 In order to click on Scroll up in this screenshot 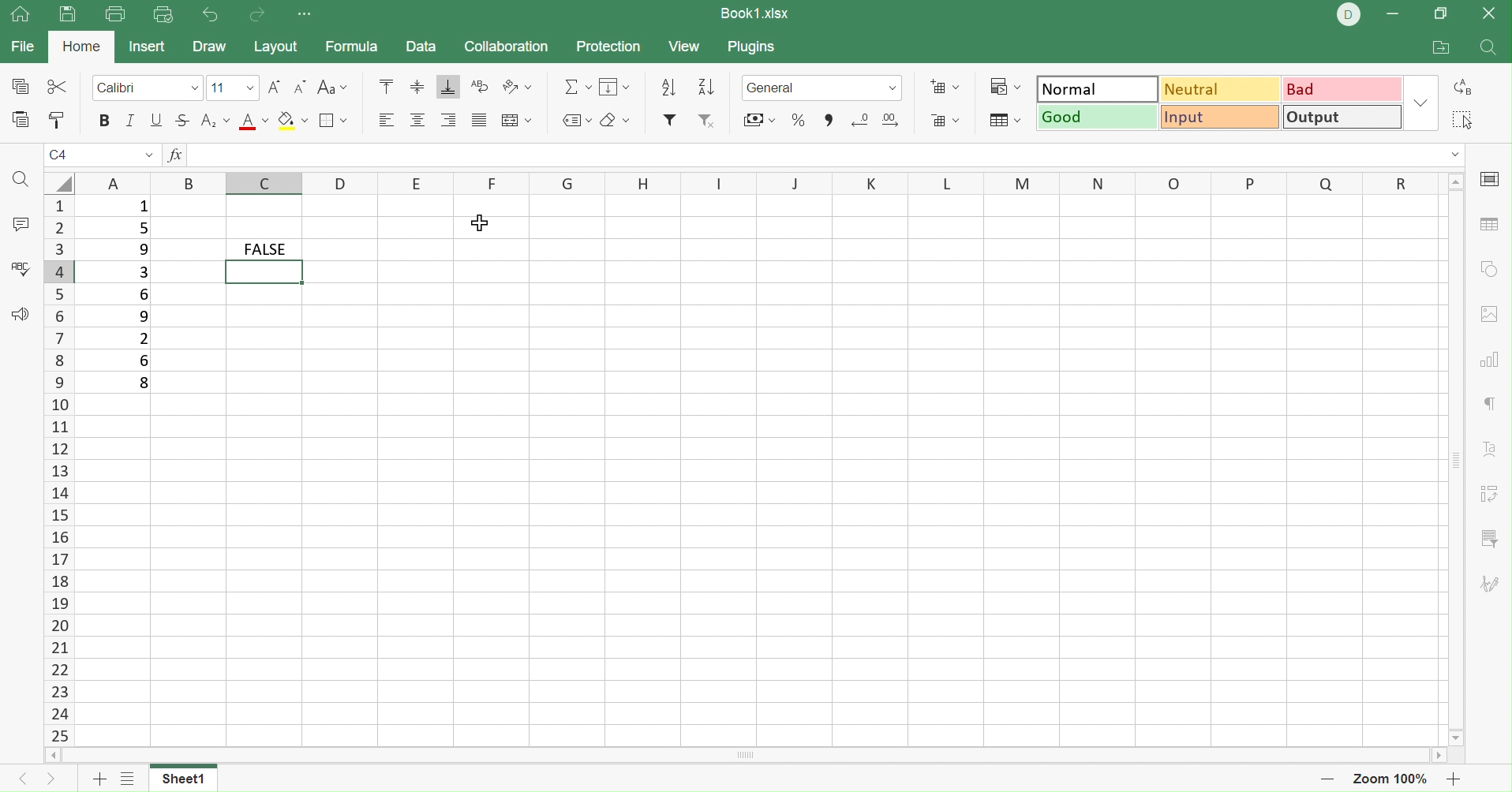, I will do `click(1454, 180)`.